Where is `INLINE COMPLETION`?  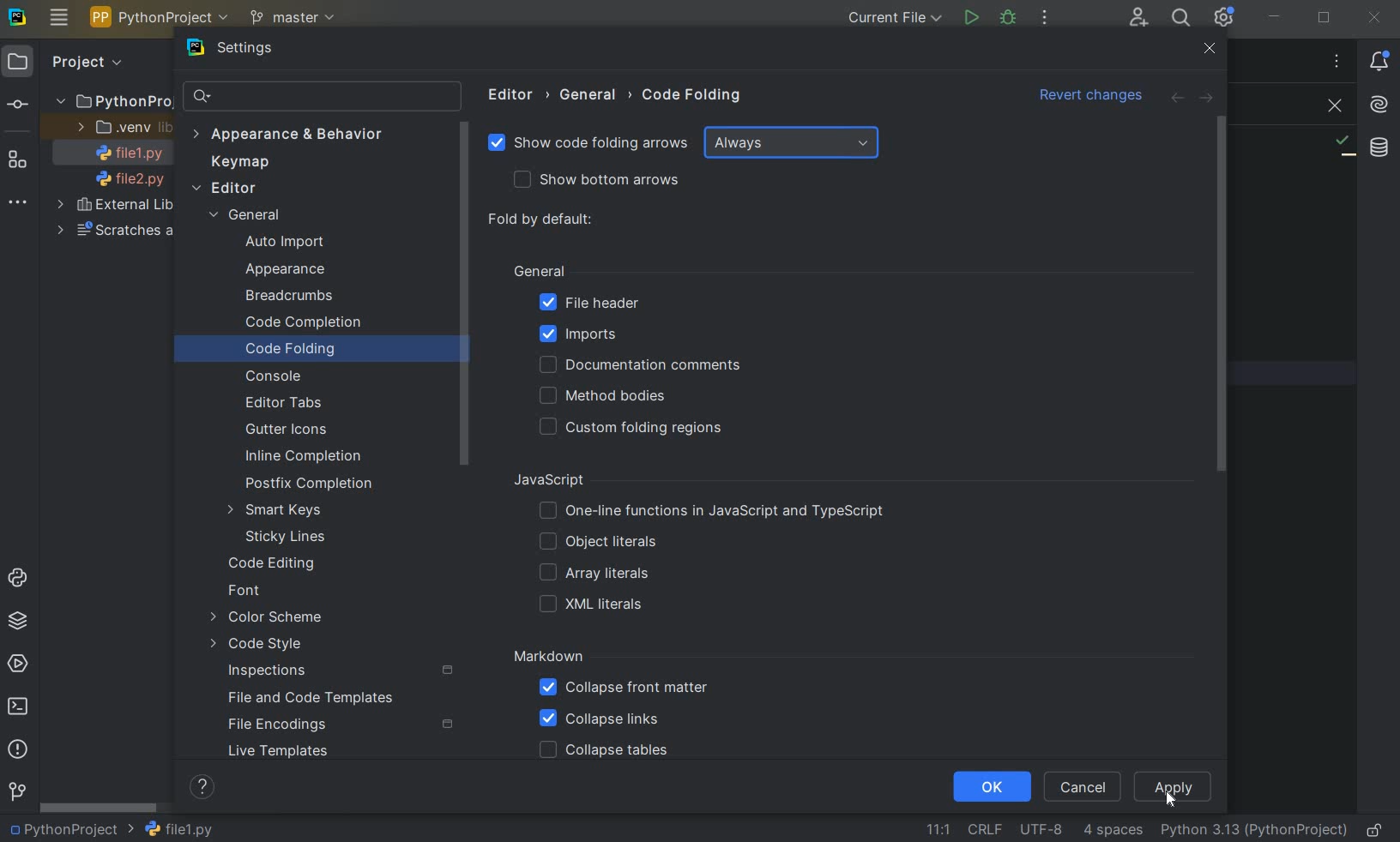 INLINE COMPLETION is located at coordinates (307, 456).